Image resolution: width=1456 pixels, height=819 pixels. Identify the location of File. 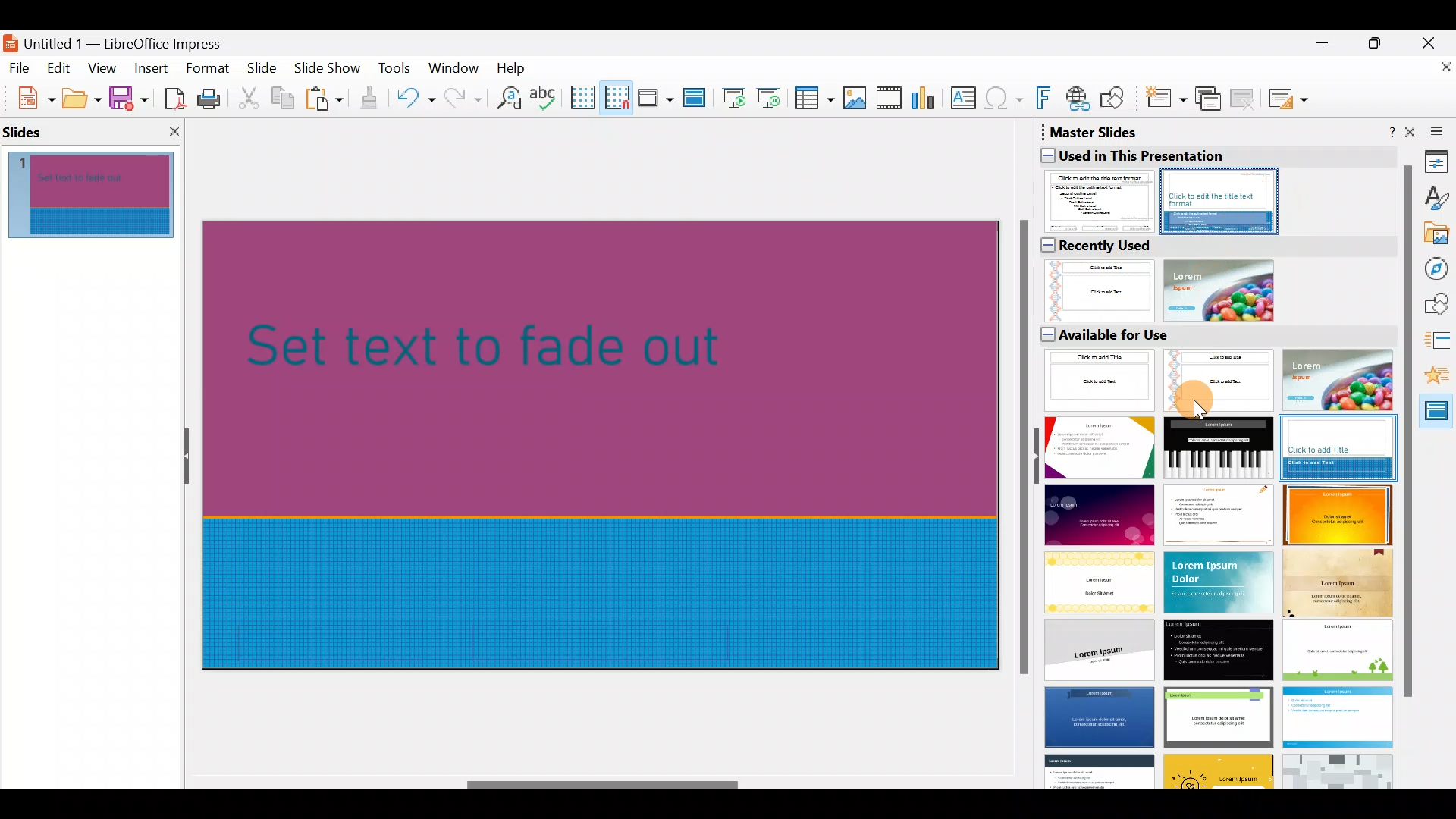
(20, 67).